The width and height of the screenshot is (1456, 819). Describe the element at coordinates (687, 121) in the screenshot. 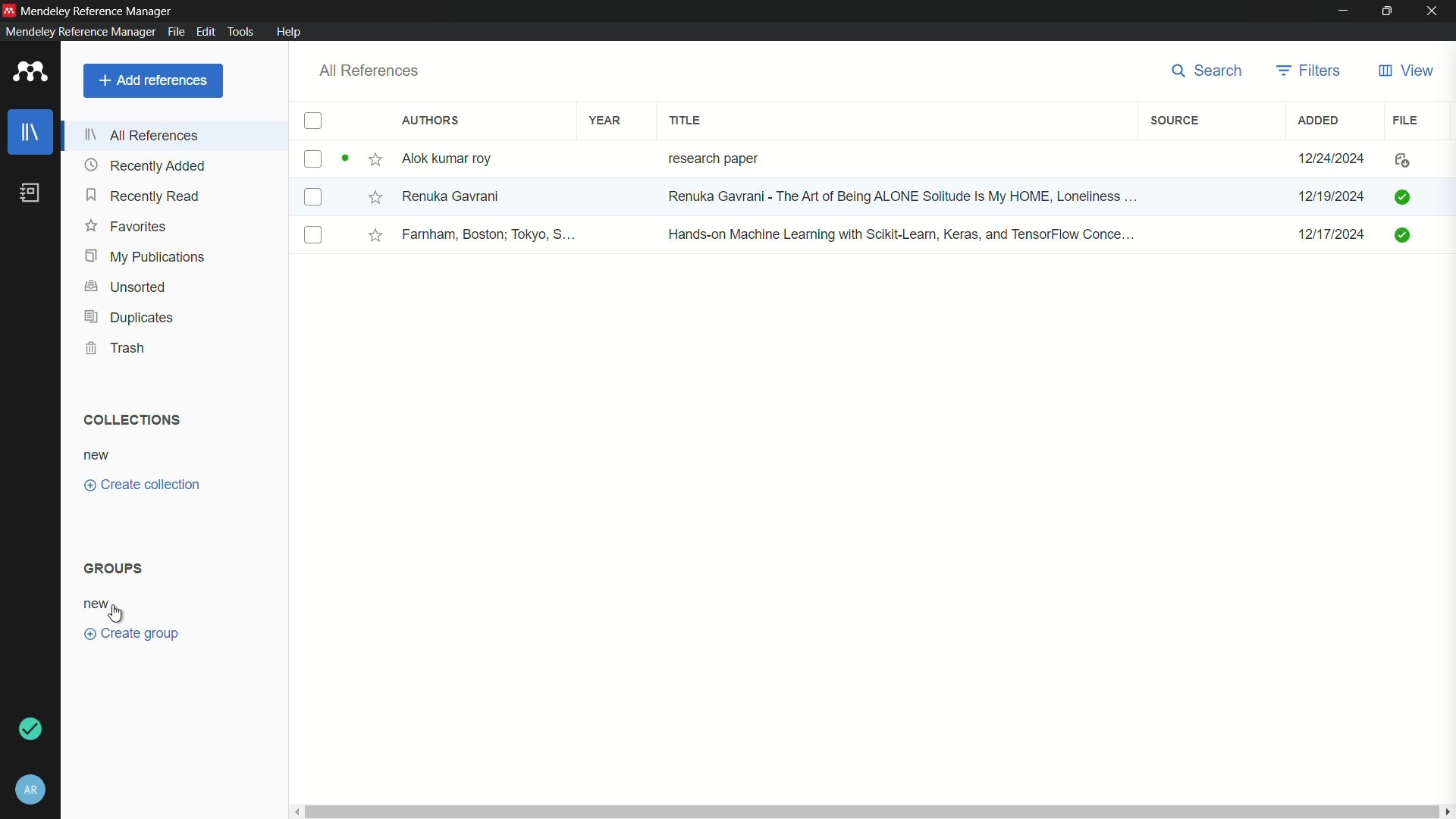

I see `title` at that location.